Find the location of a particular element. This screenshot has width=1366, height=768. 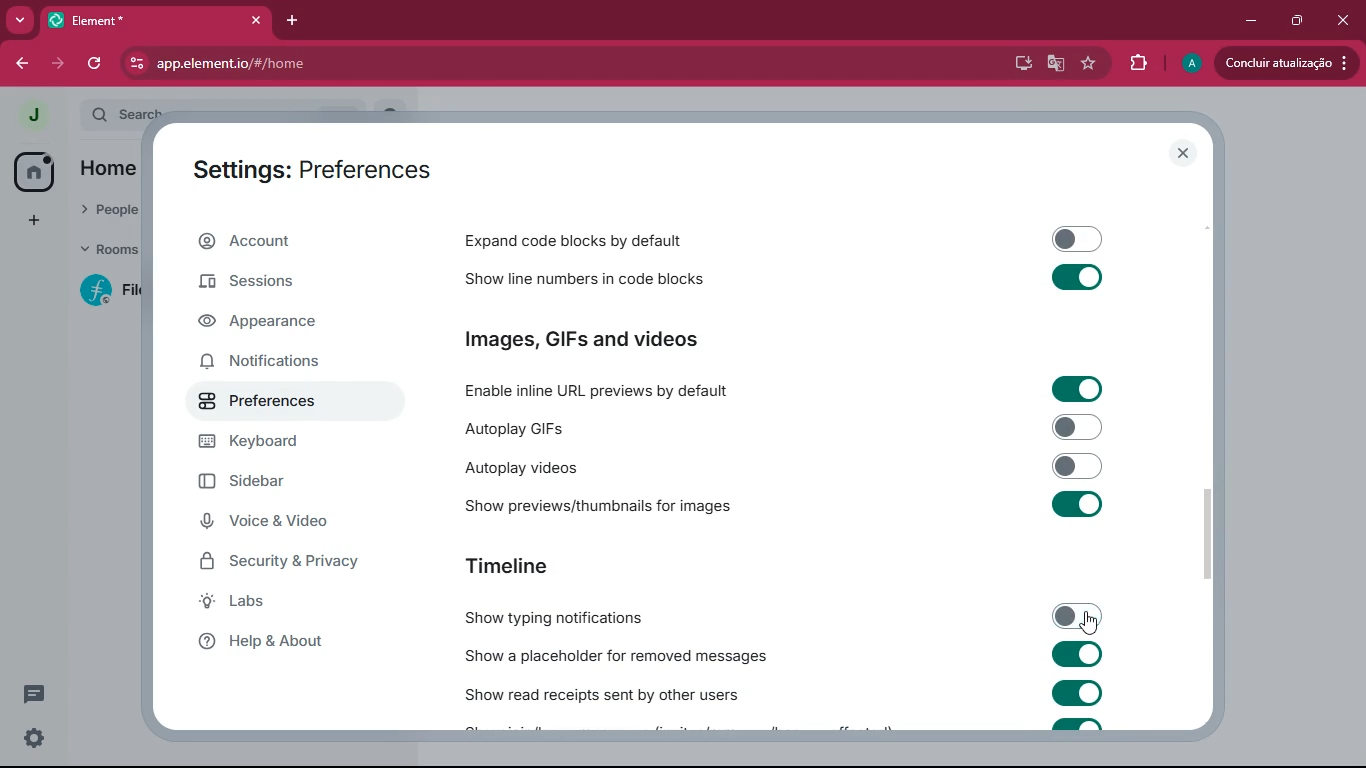

close is located at coordinates (1346, 19).